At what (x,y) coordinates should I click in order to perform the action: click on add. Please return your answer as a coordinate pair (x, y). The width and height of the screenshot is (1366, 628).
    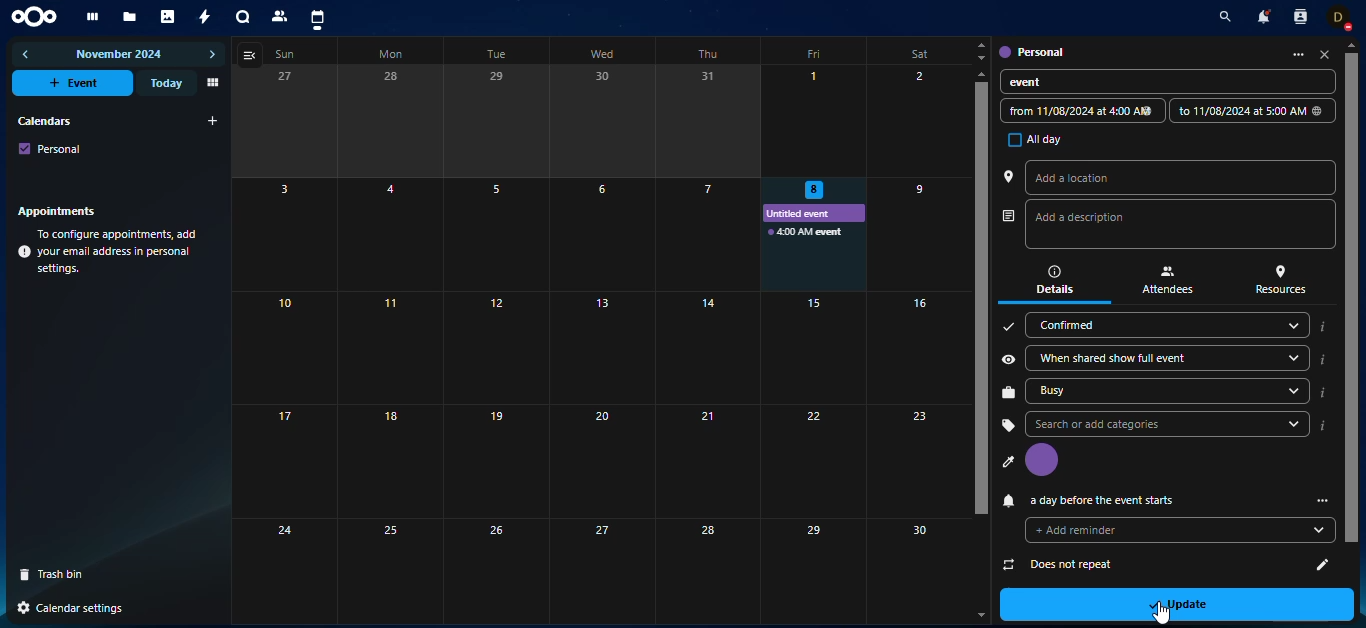
    Looking at the image, I should click on (1324, 562).